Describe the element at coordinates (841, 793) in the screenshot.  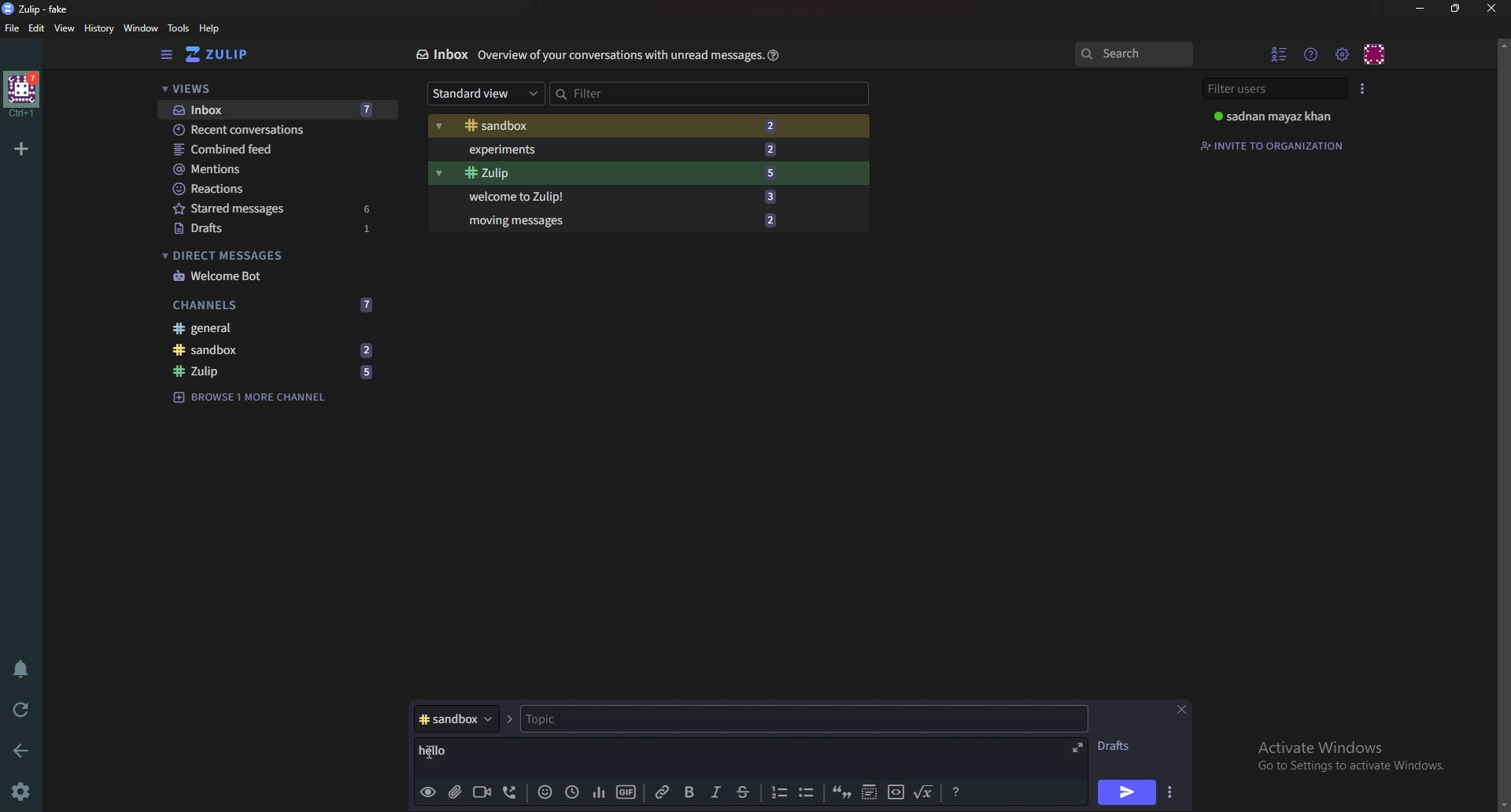
I see `quote` at that location.